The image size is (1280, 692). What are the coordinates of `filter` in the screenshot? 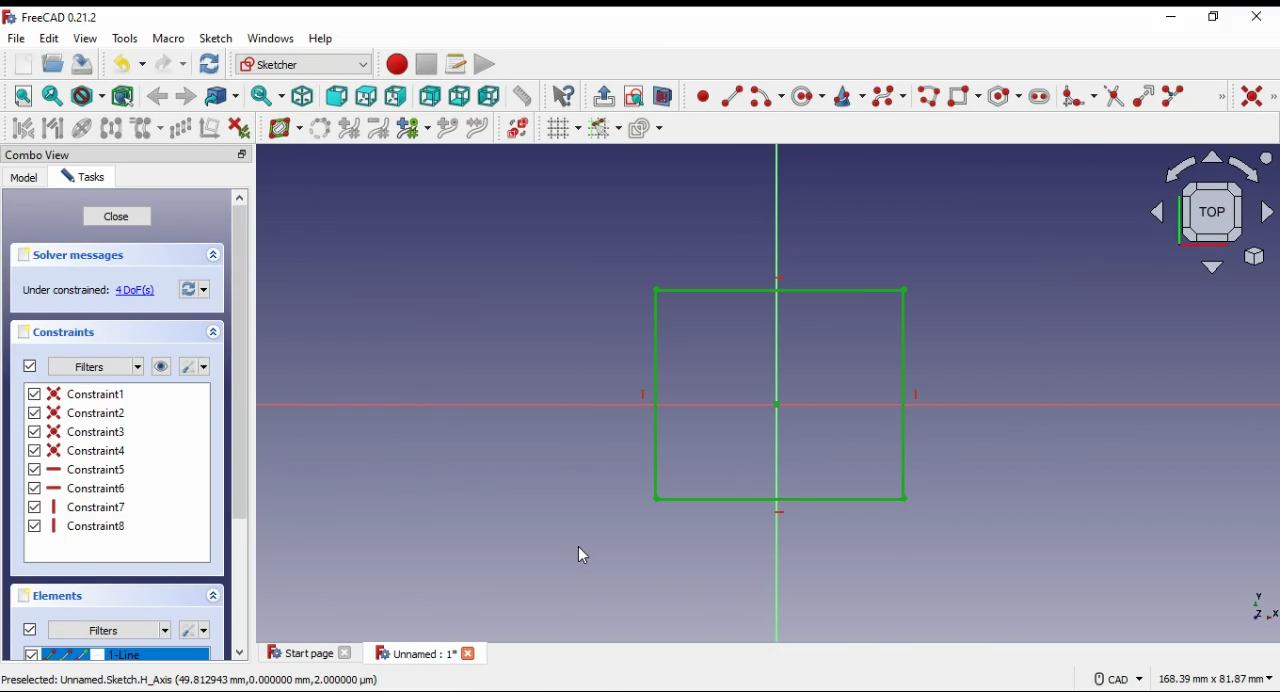 It's located at (95, 367).